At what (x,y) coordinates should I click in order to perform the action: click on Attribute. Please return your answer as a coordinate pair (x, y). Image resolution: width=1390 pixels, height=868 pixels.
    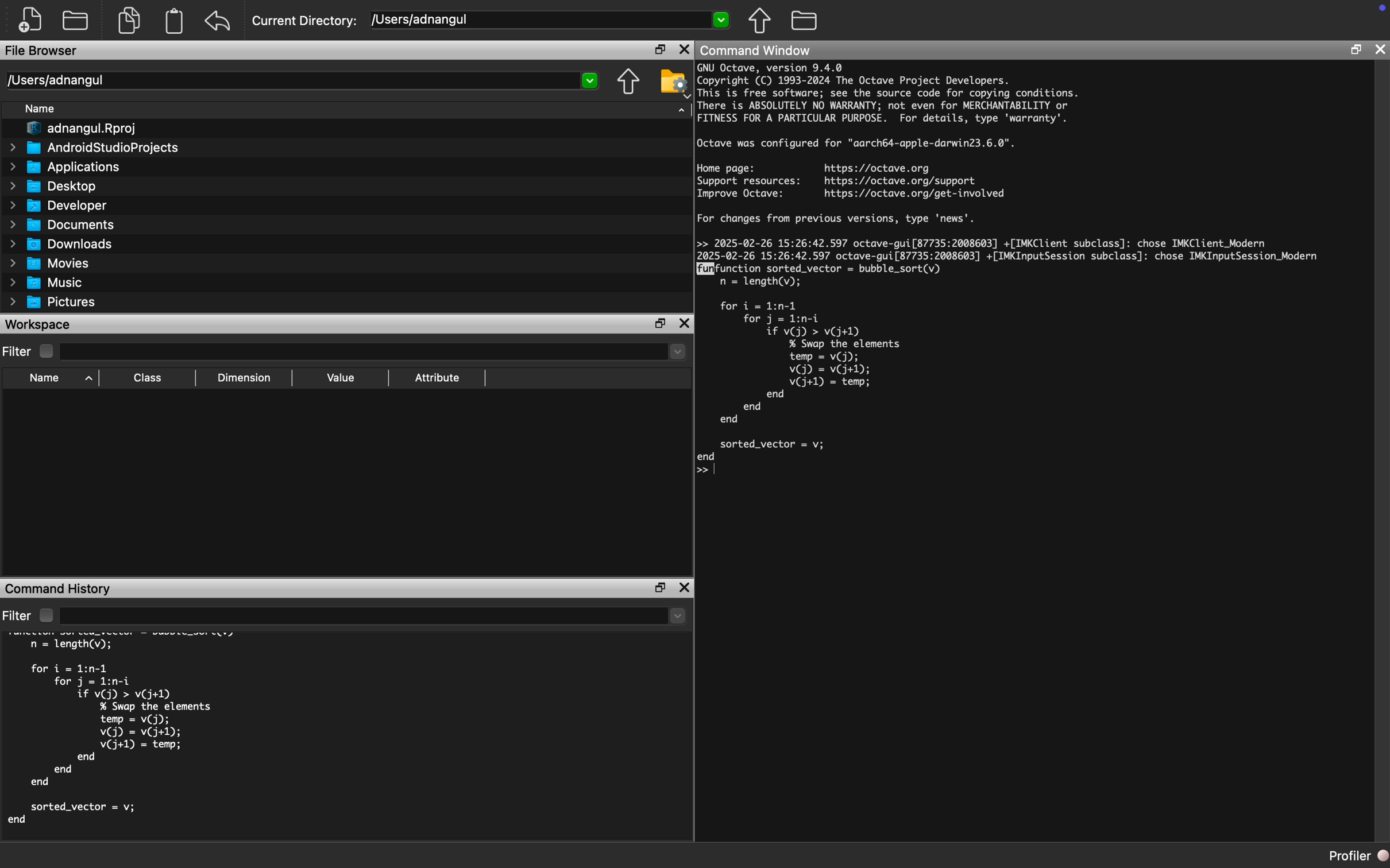
    Looking at the image, I should click on (438, 378).